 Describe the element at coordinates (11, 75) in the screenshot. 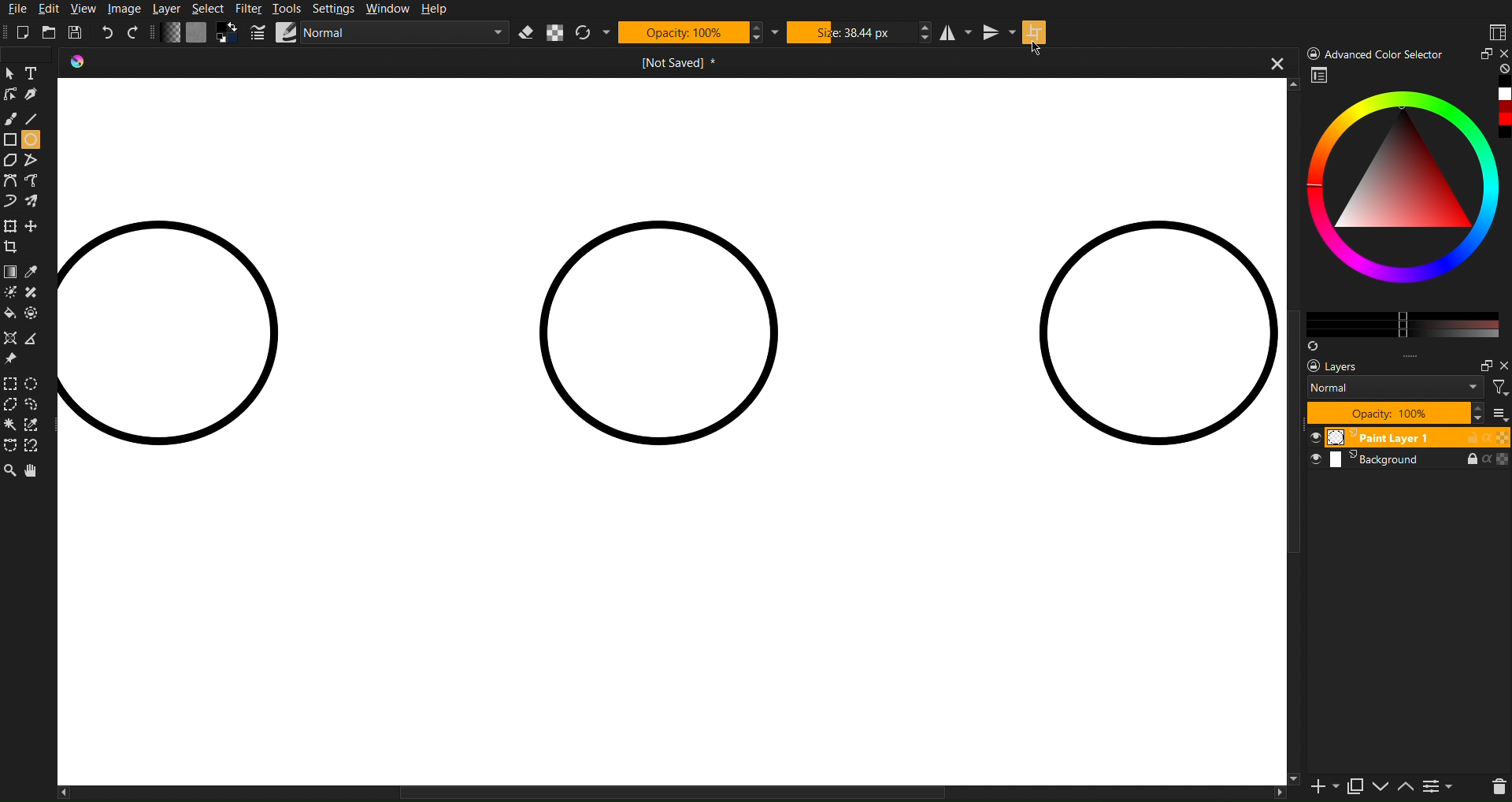

I see `Cursor` at that location.